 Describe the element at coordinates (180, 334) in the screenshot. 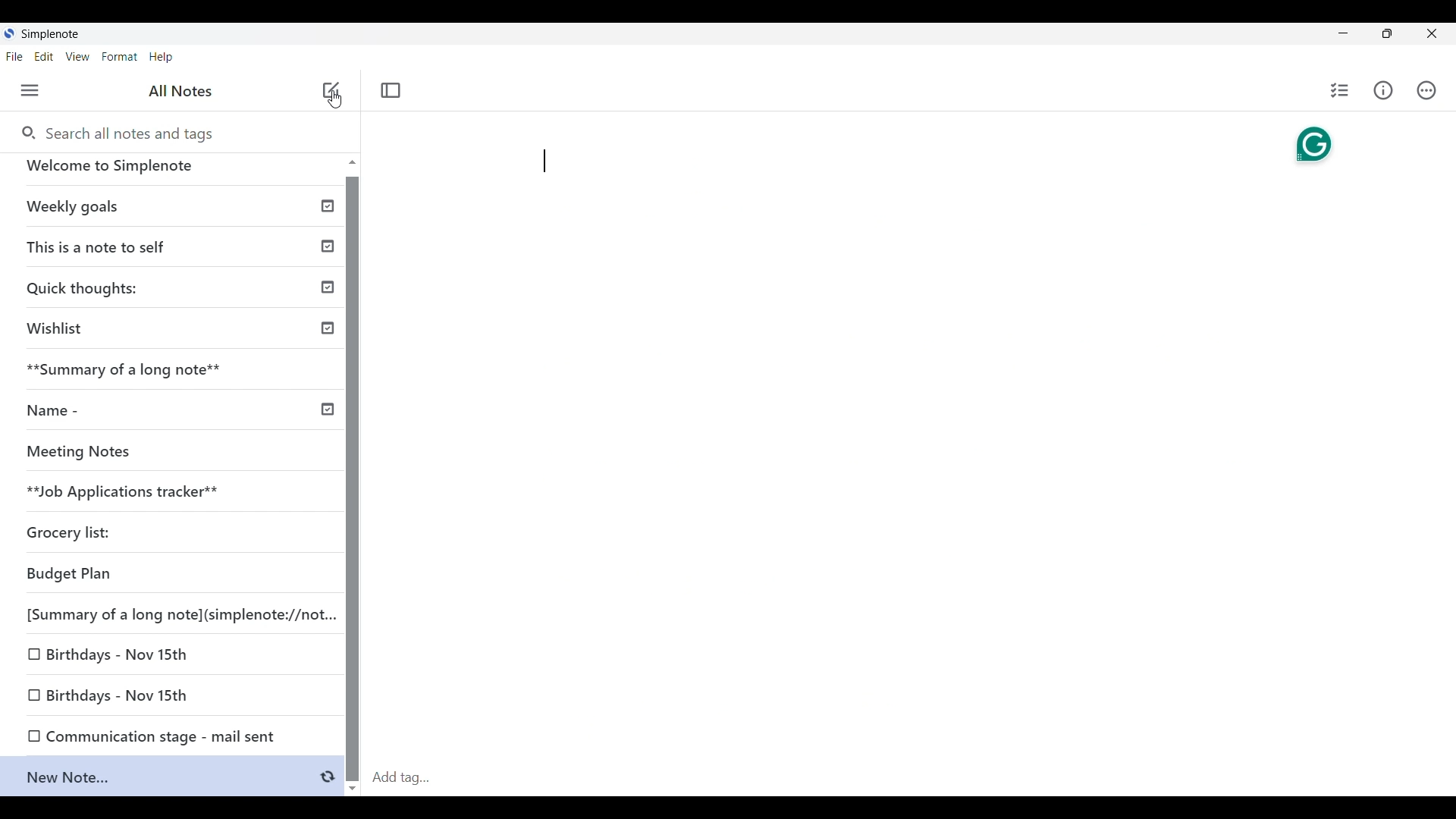

I see `Published note indicated by check icon` at that location.